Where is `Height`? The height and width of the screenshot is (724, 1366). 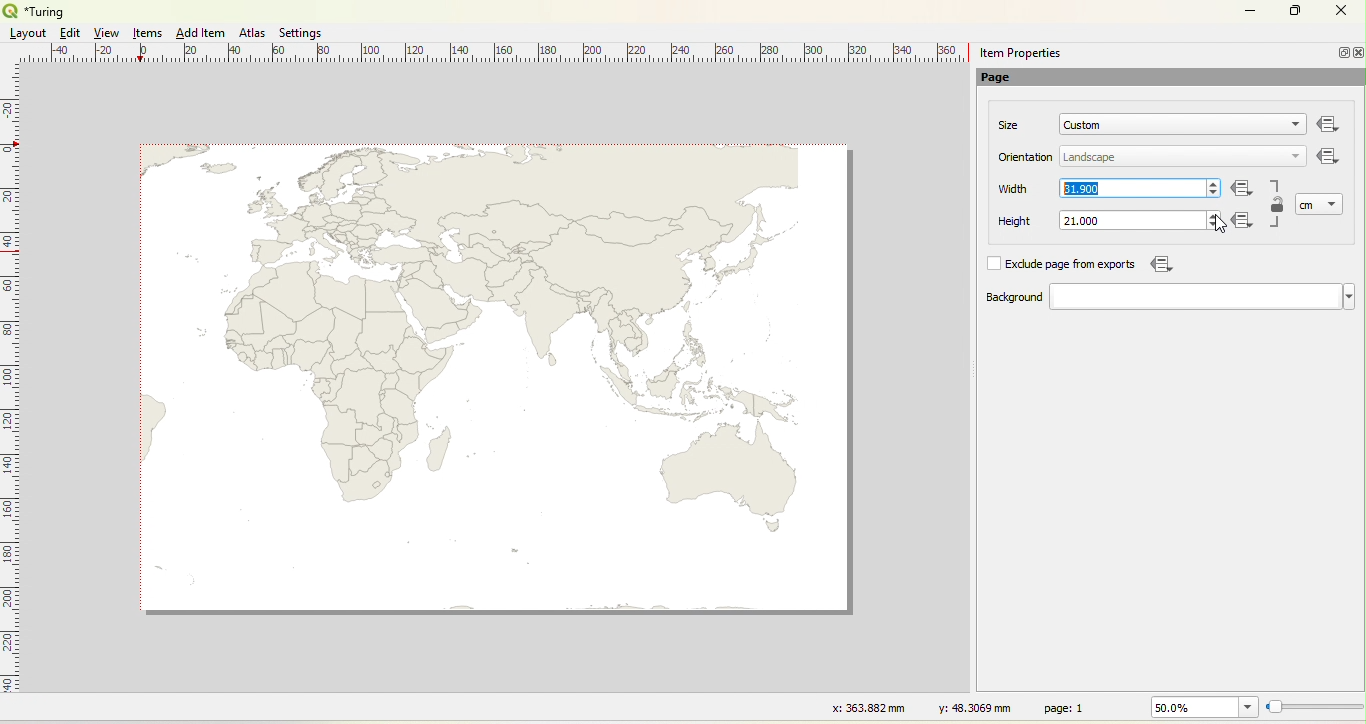
Height is located at coordinates (1017, 222).